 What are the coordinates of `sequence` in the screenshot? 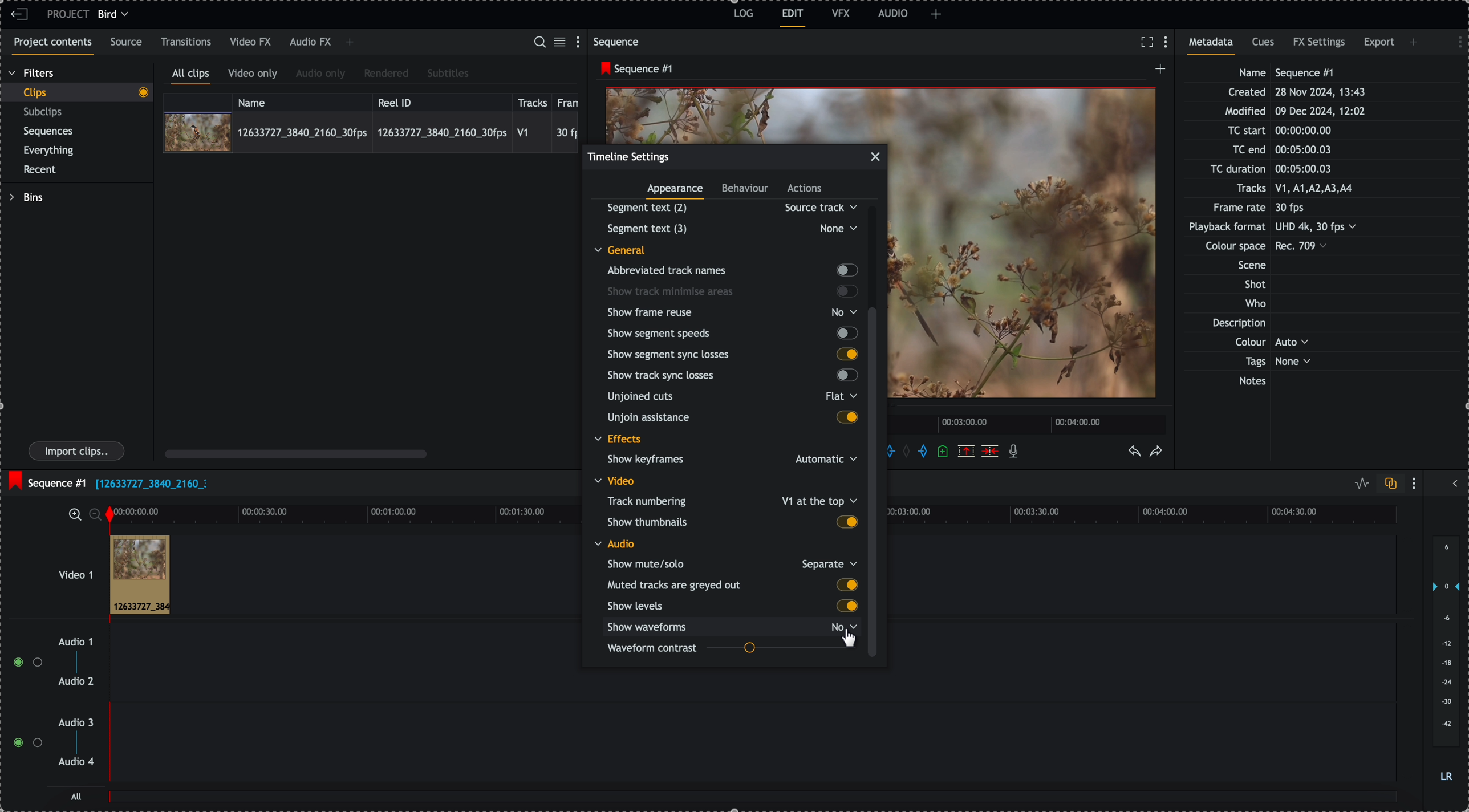 It's located at (619, 42).